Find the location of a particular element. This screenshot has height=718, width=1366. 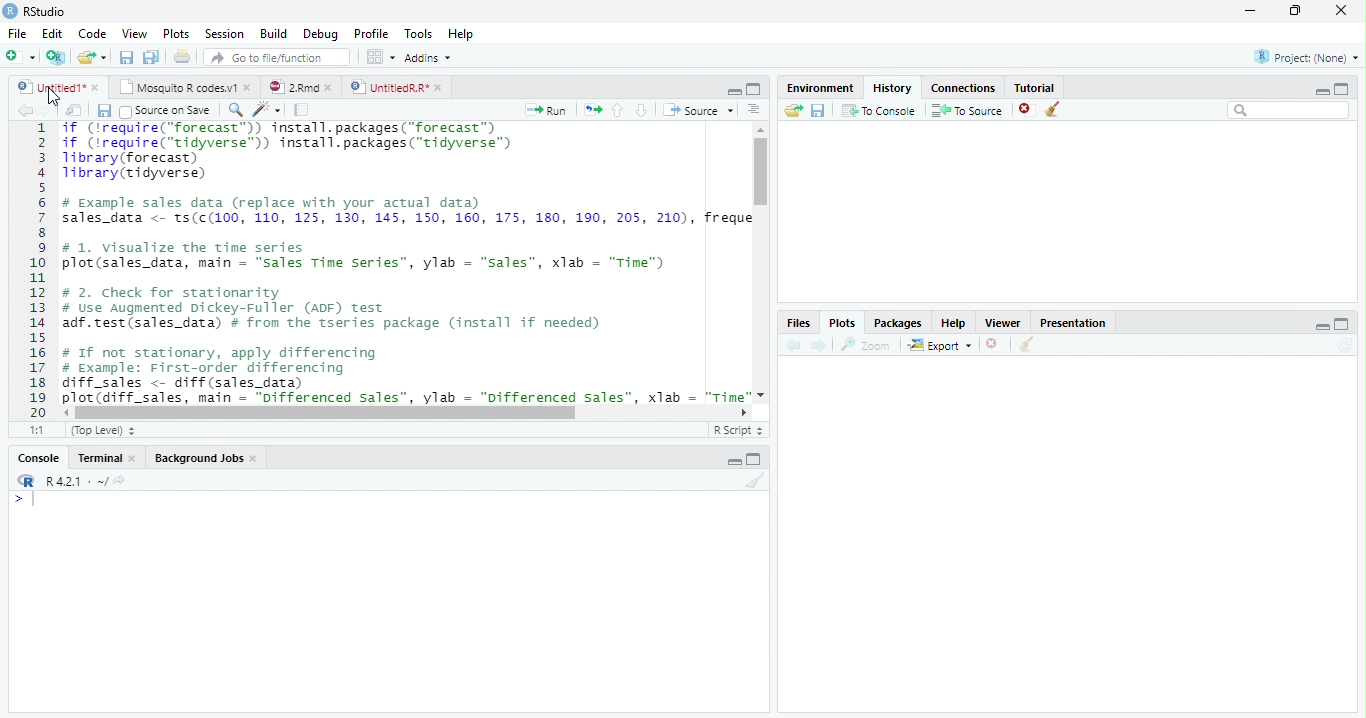

Workplace panes is located at coordinates (379, 56).